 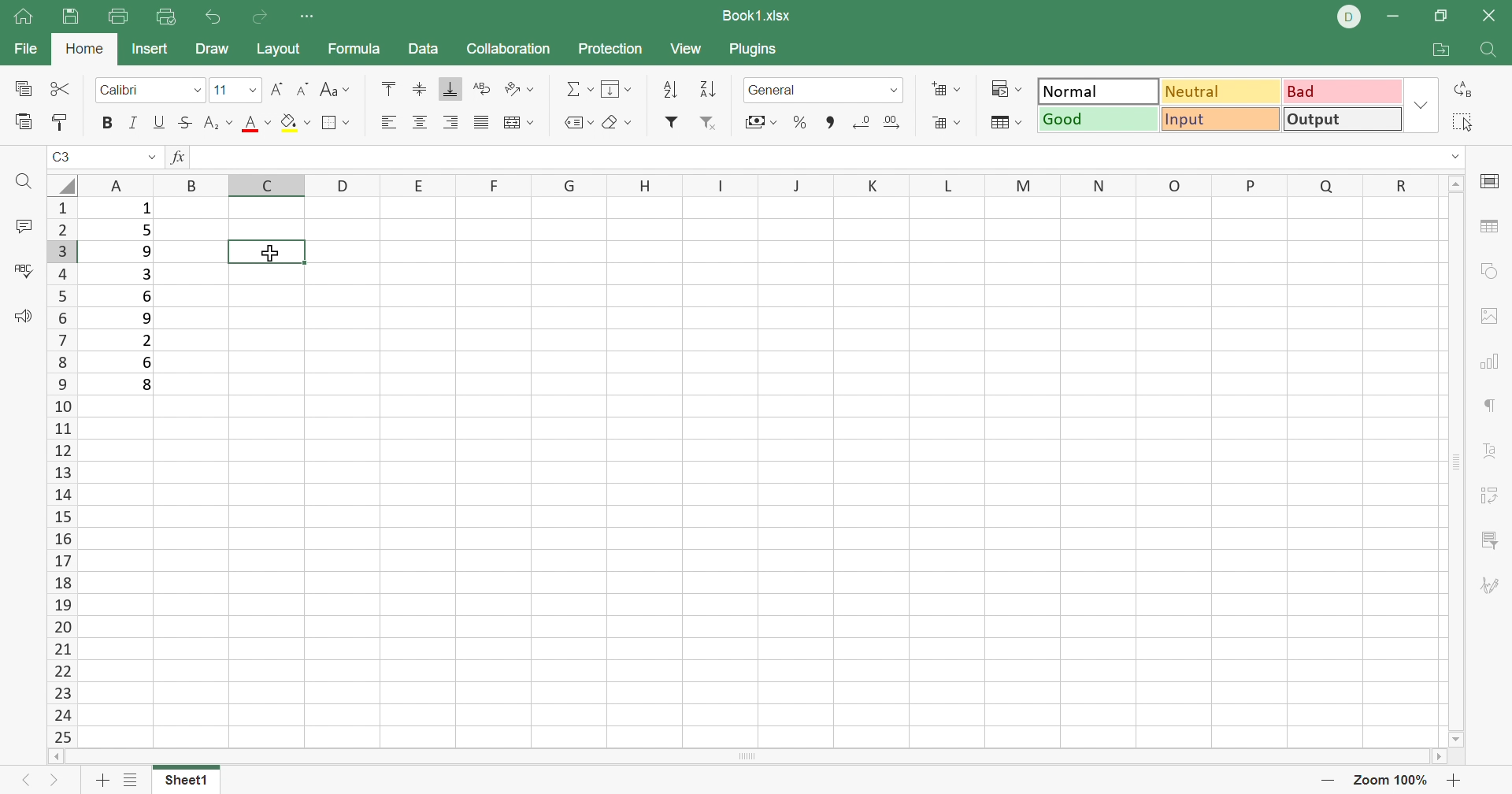 I want to click on Formula, so click(x=352, y=49).